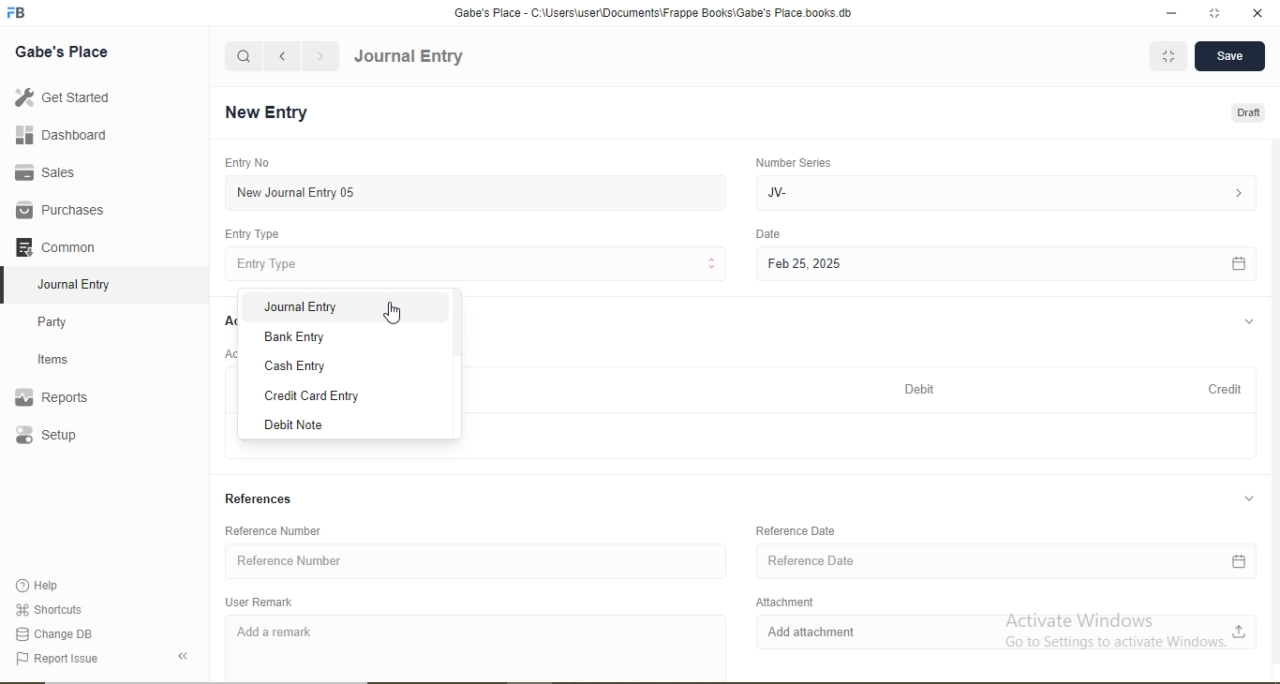 This screenshot has width=1280, height=684. I want to click on Add a remark, so click(478, 645).